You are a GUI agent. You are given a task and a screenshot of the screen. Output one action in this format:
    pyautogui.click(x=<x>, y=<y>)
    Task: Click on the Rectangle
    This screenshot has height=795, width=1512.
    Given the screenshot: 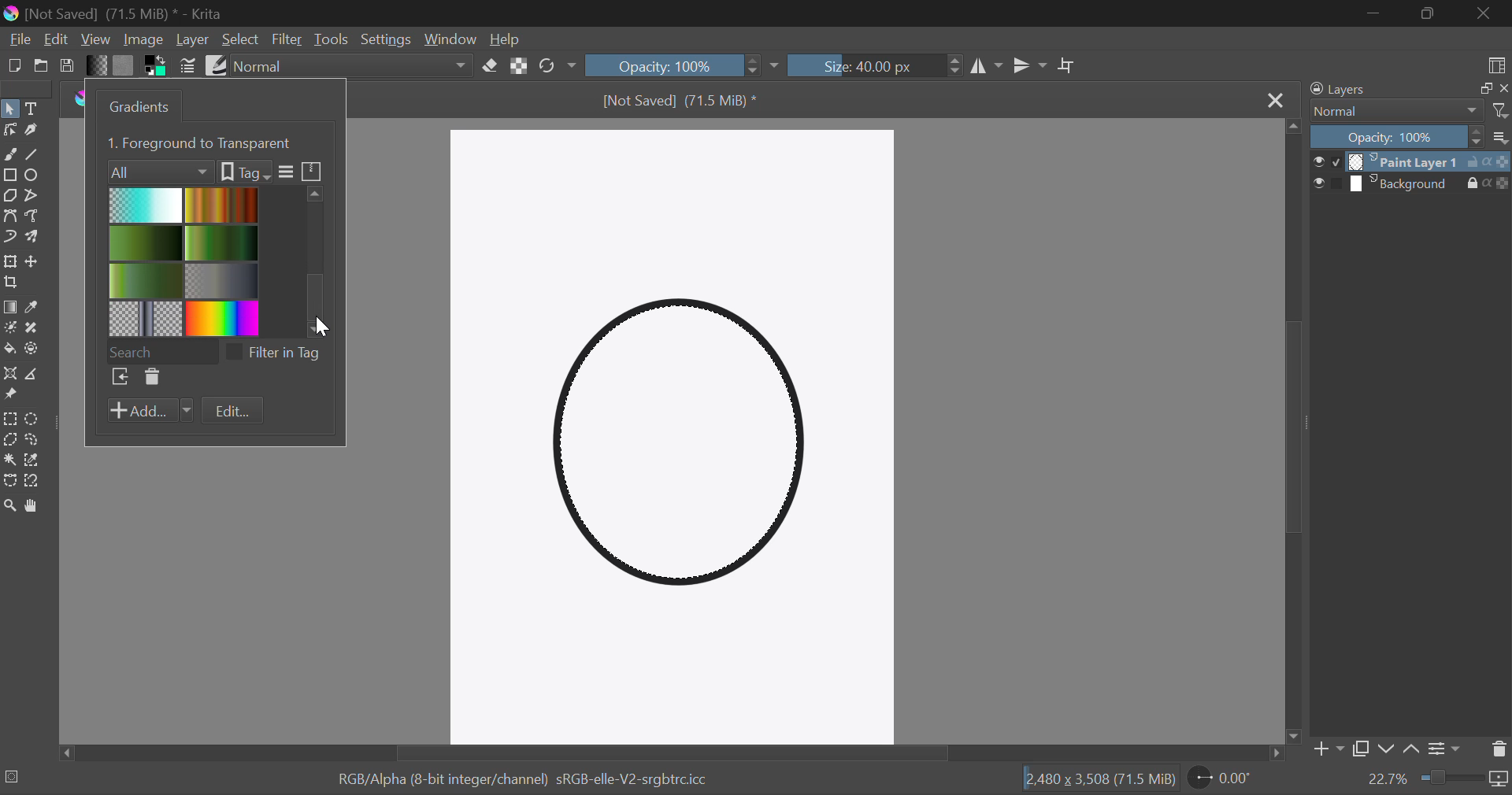 What is the action you would take?
    pyautogui.click(x=11, y=177)
    